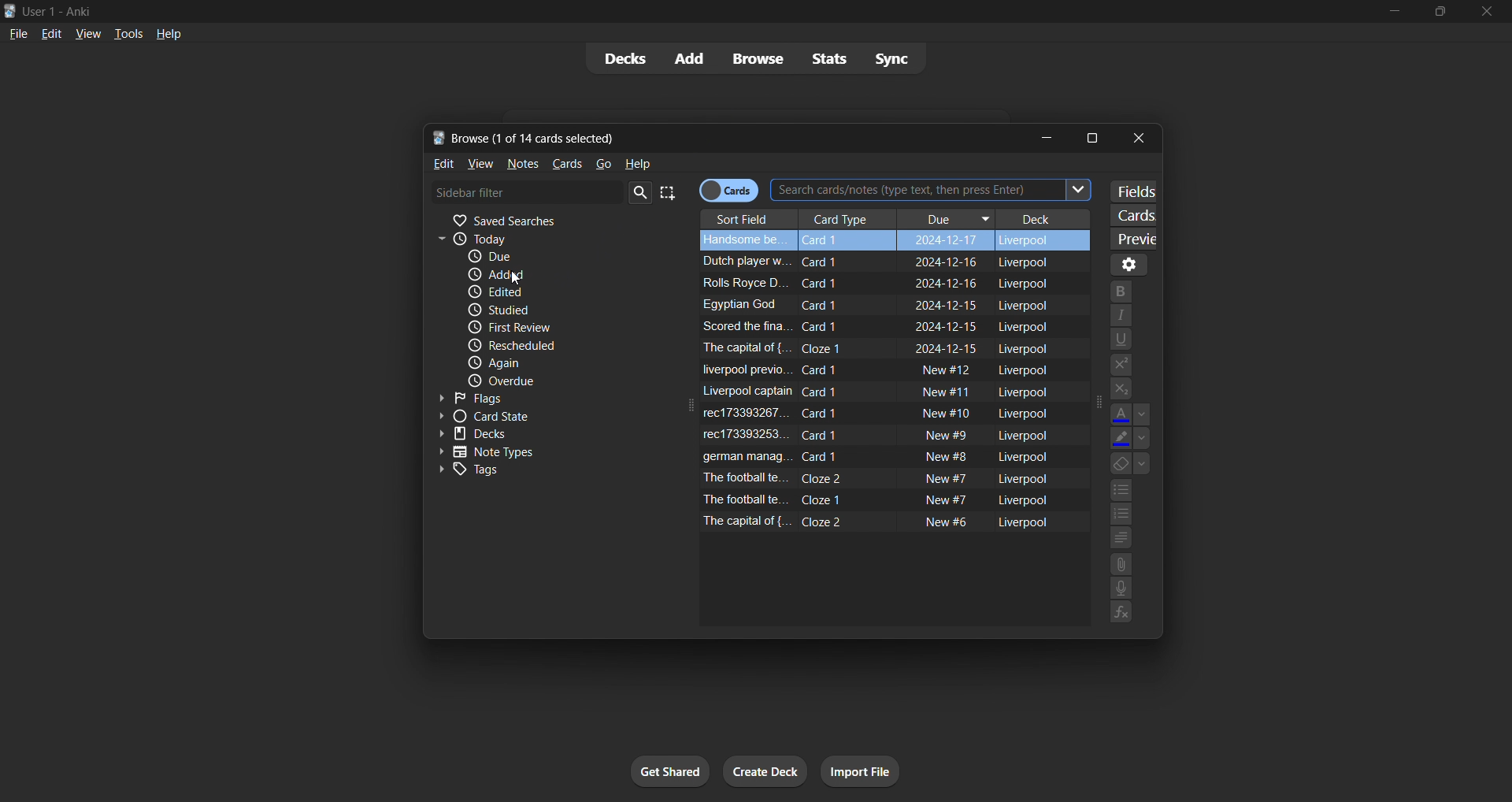  I want to click on sync, so click(895, 62).